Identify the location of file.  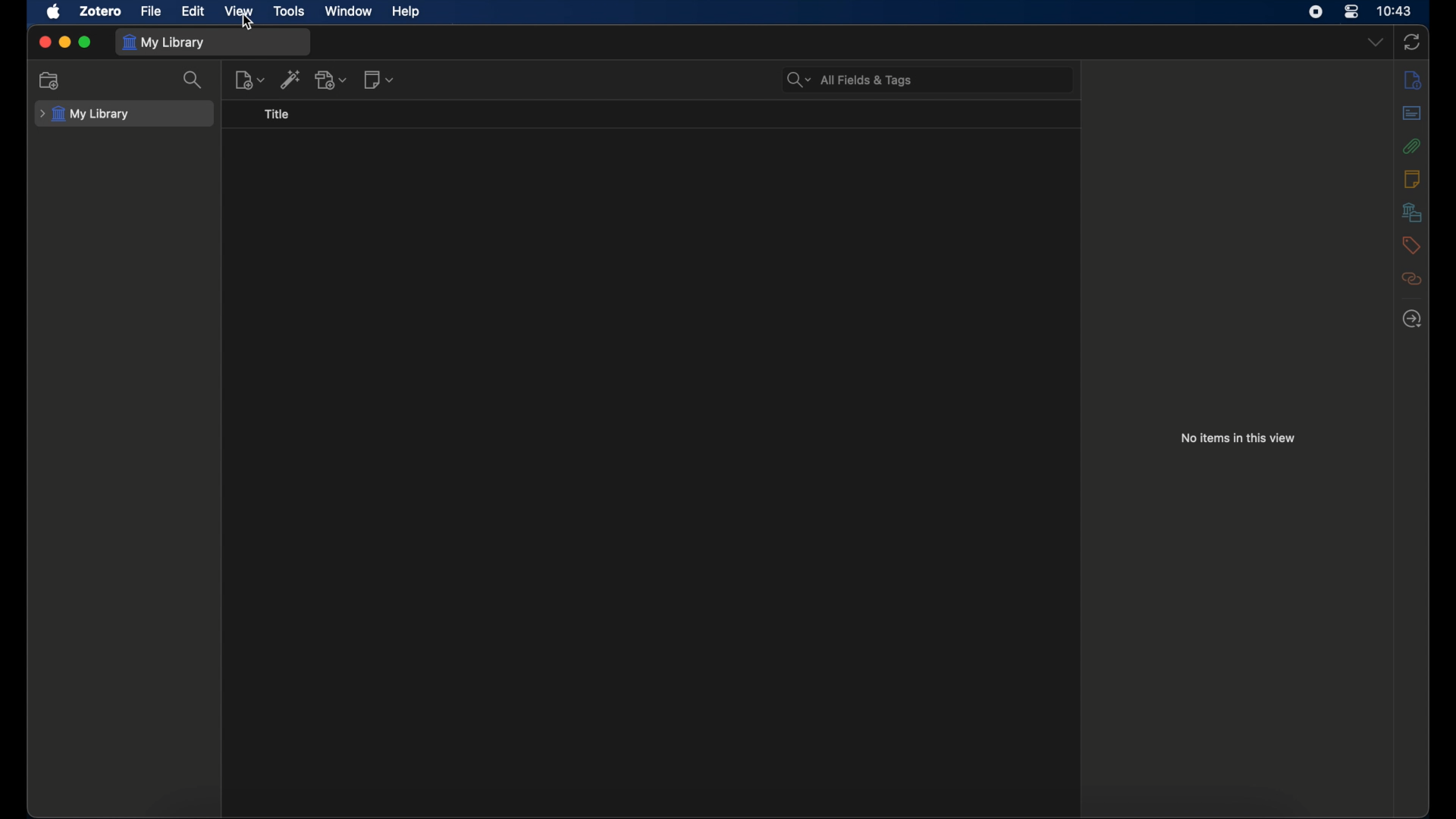
(153, 11).